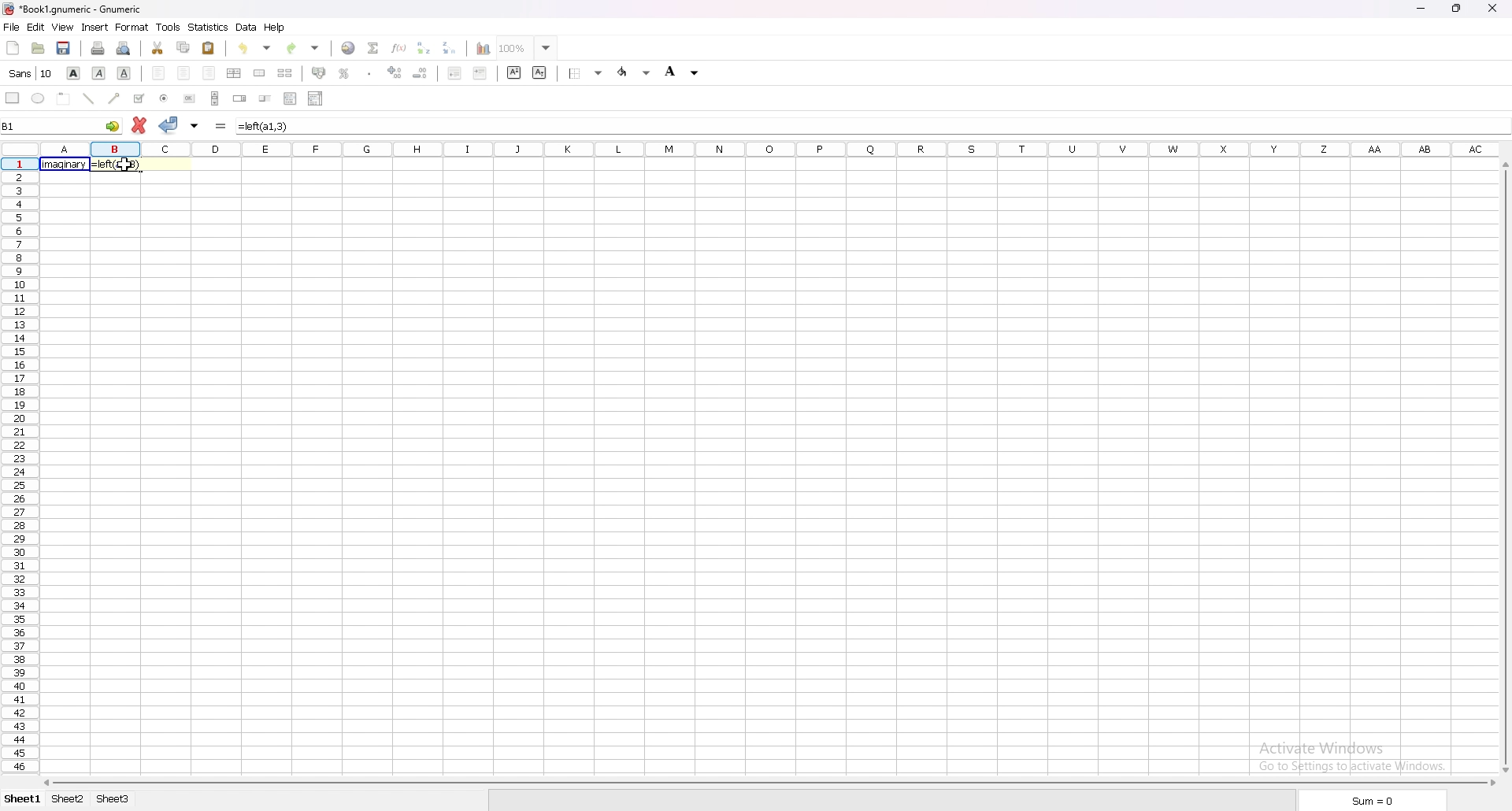 This screenshot has height=811, width=1512. What do you see at coordinates (191, 98) in the screenshot?
I see `button` at bounding box center [191, 98].